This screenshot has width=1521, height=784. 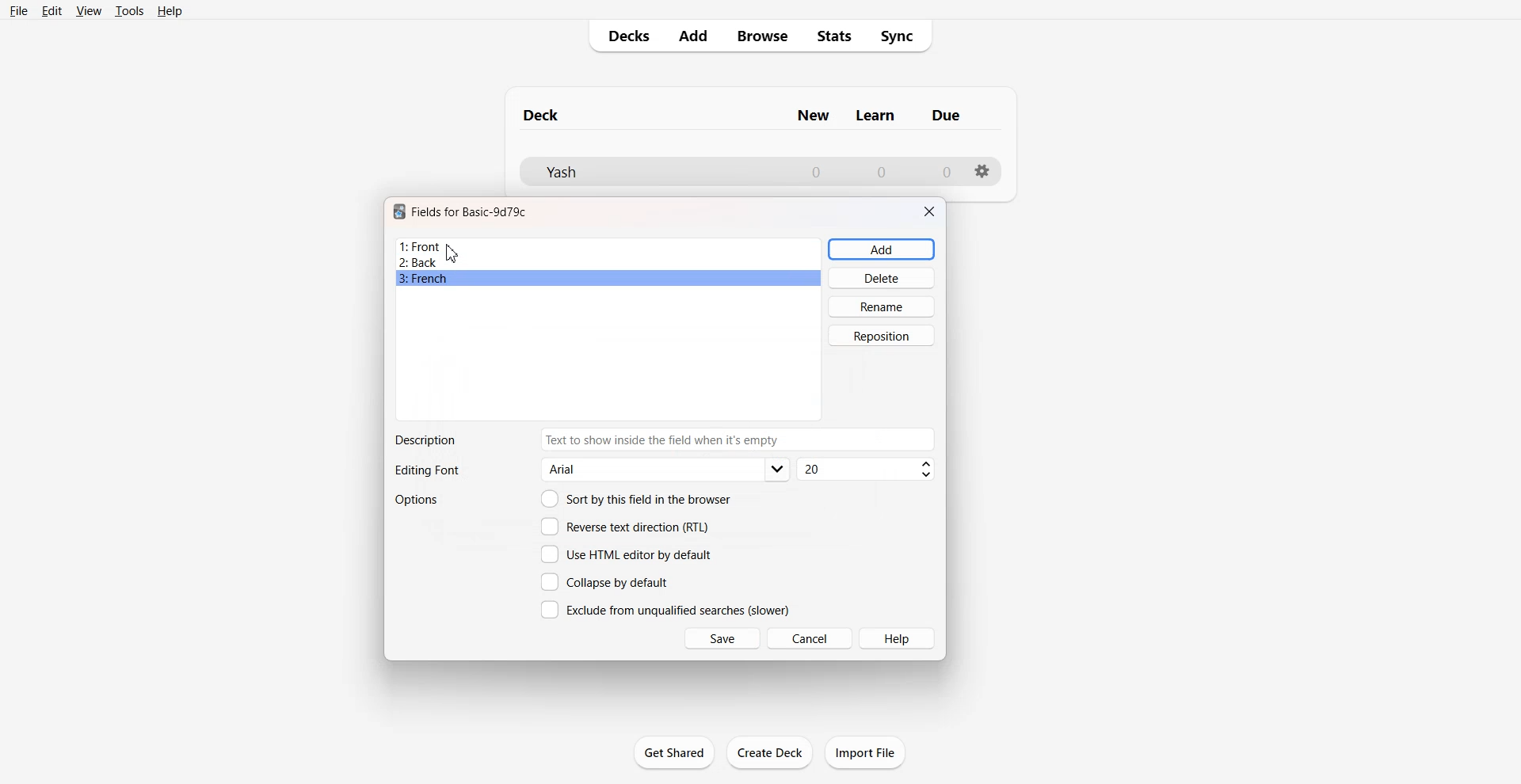 What do you see at coordinates (946, 115) in the screenshot?
I see `Column name` at bounding box center [946, 115].